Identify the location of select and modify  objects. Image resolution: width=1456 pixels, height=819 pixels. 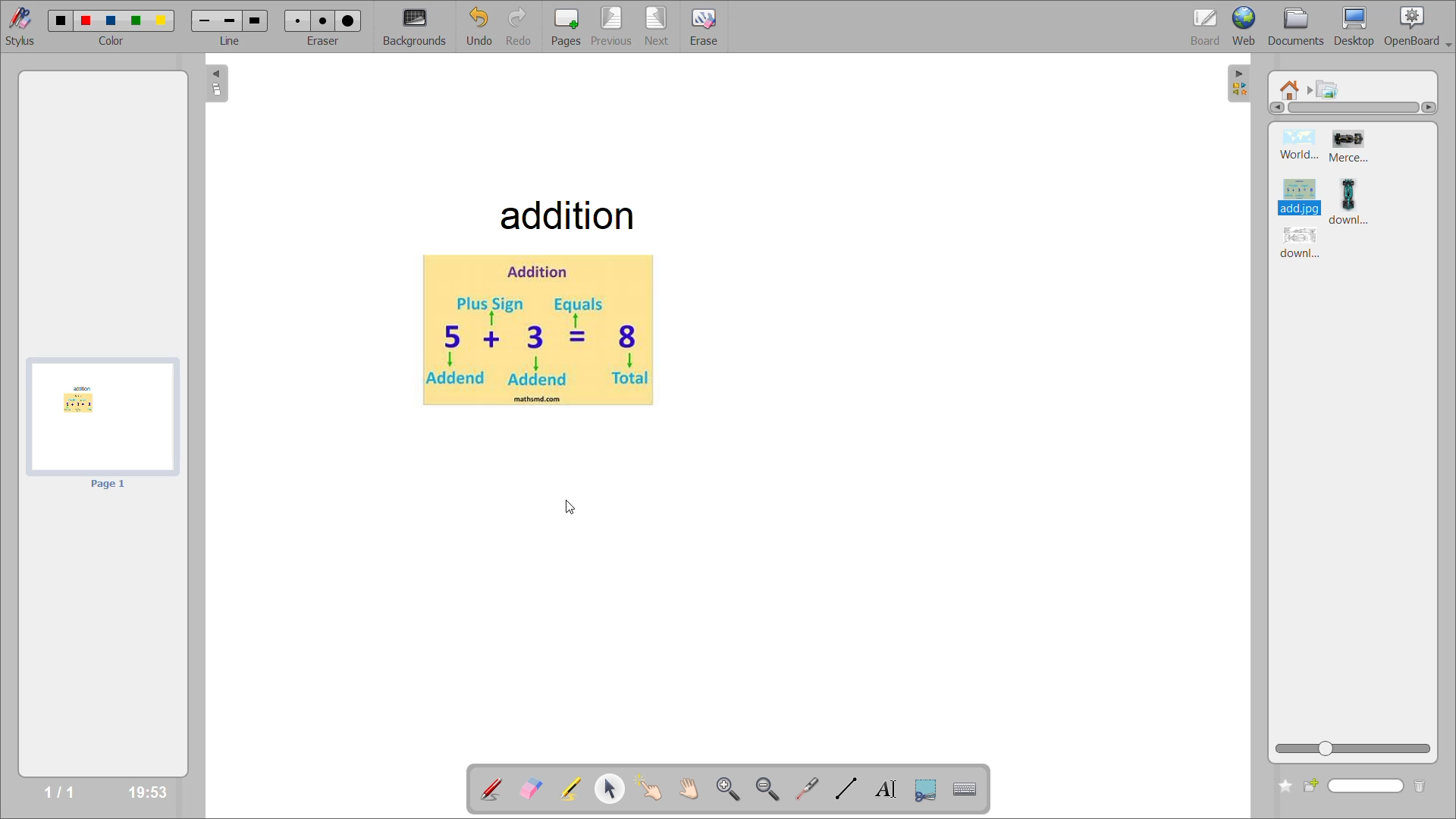
(613, 790).